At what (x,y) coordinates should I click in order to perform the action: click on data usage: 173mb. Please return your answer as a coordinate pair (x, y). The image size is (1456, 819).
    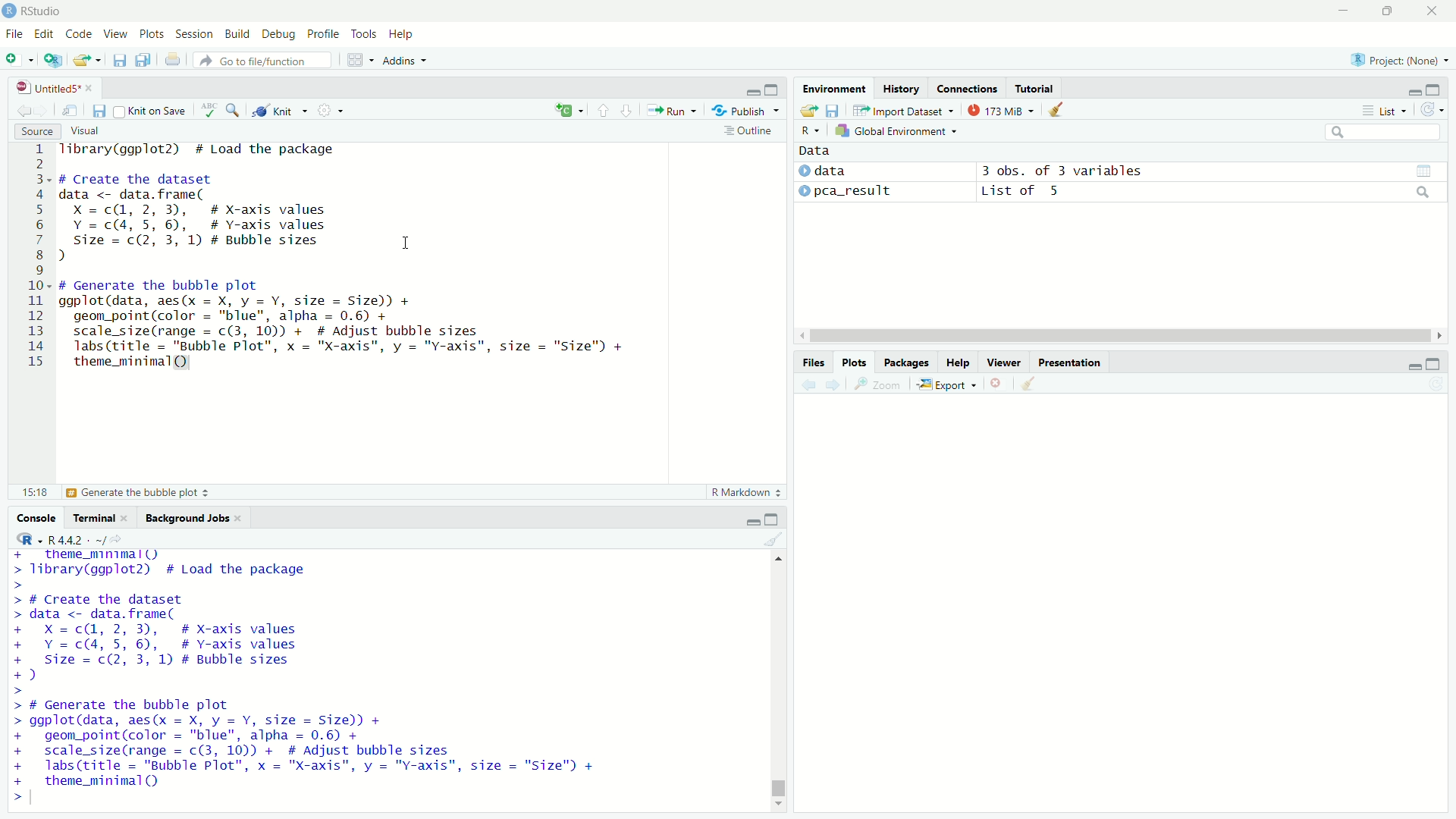
    Looking at the image, I should click on (999, 109).